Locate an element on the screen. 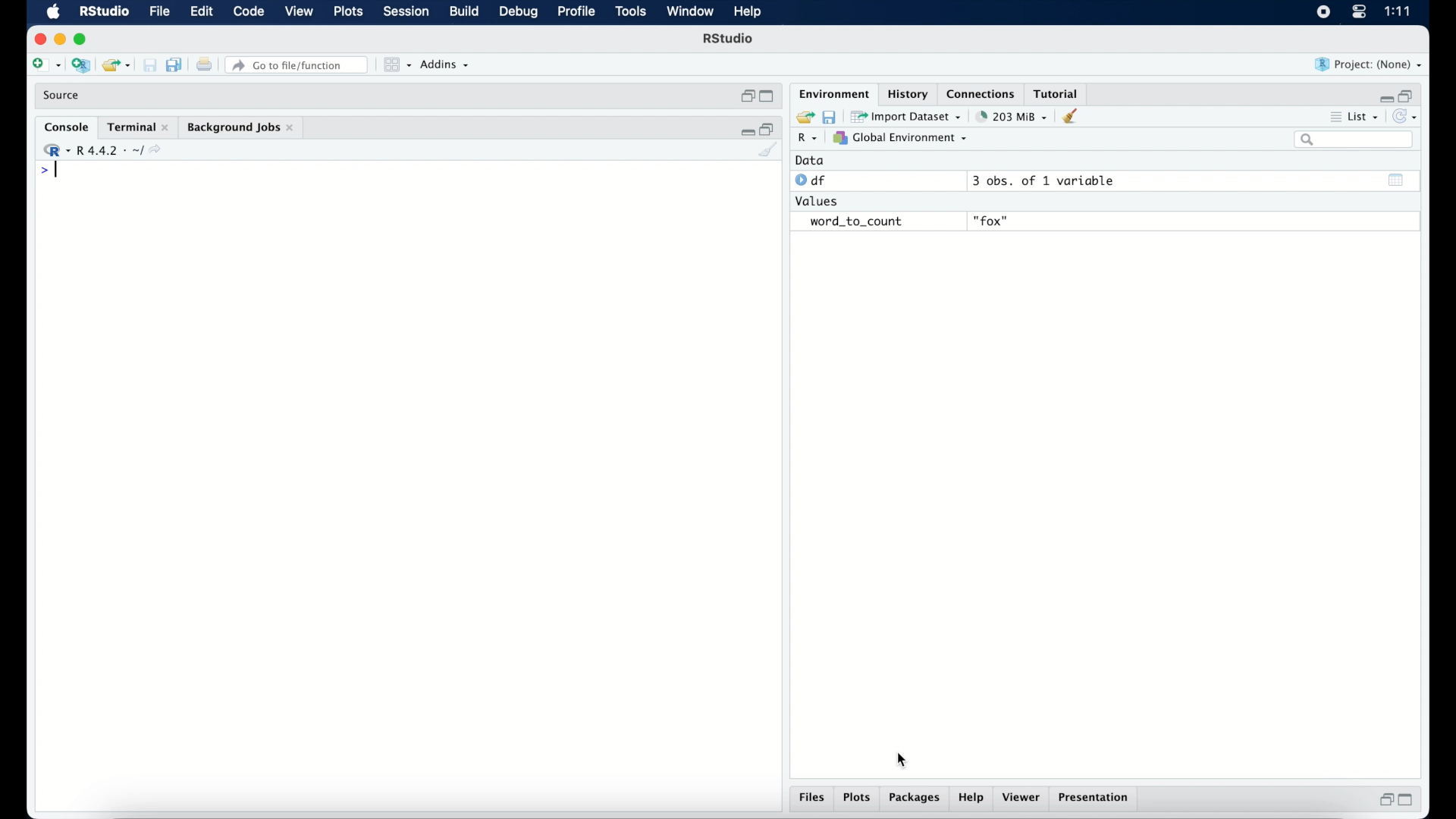  import dataset is located at coordinates (906, 117).